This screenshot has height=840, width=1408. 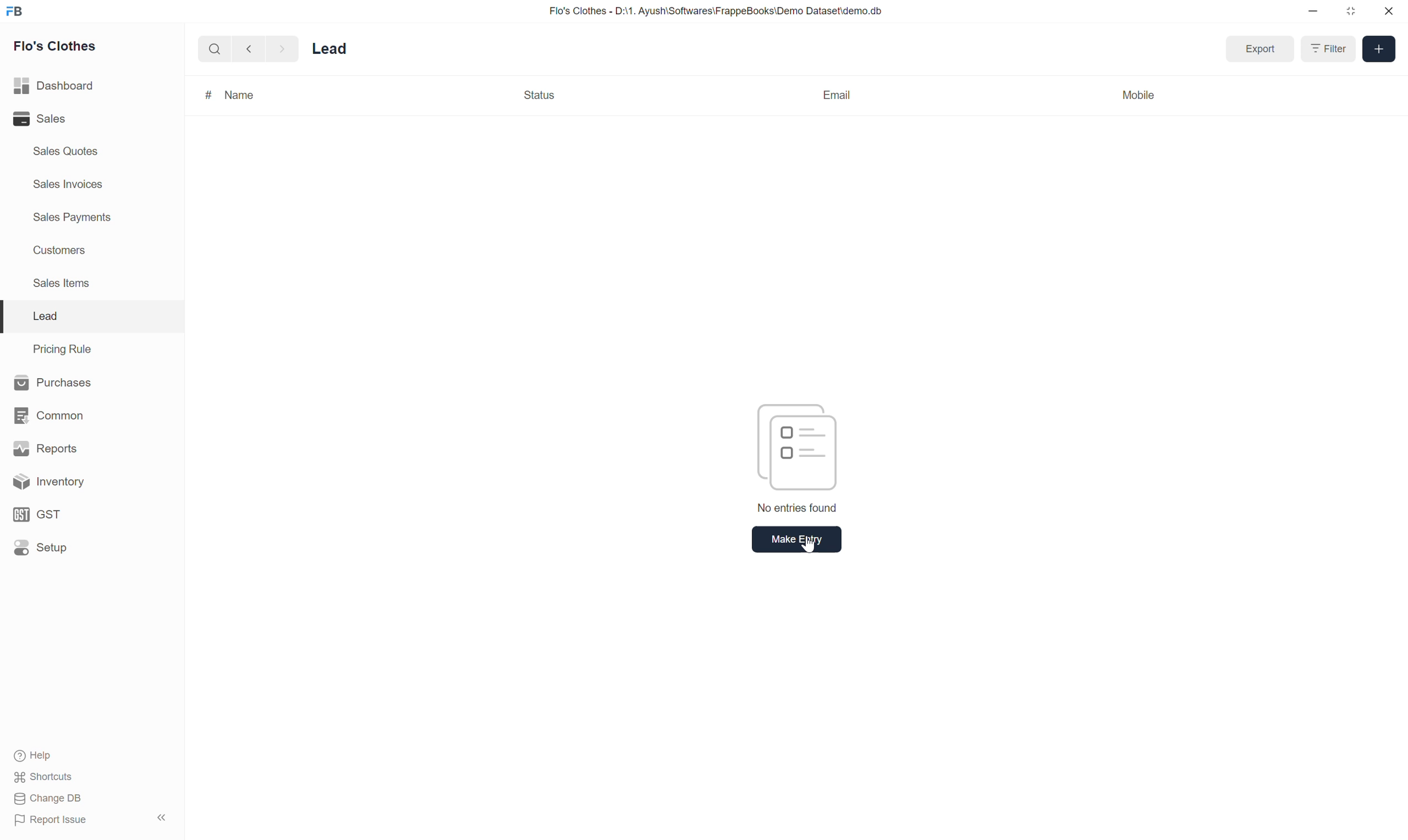 What do you see at coordinates (337, 47) in the screenshot?
I see `Lead` at bounding box center [337, 47].